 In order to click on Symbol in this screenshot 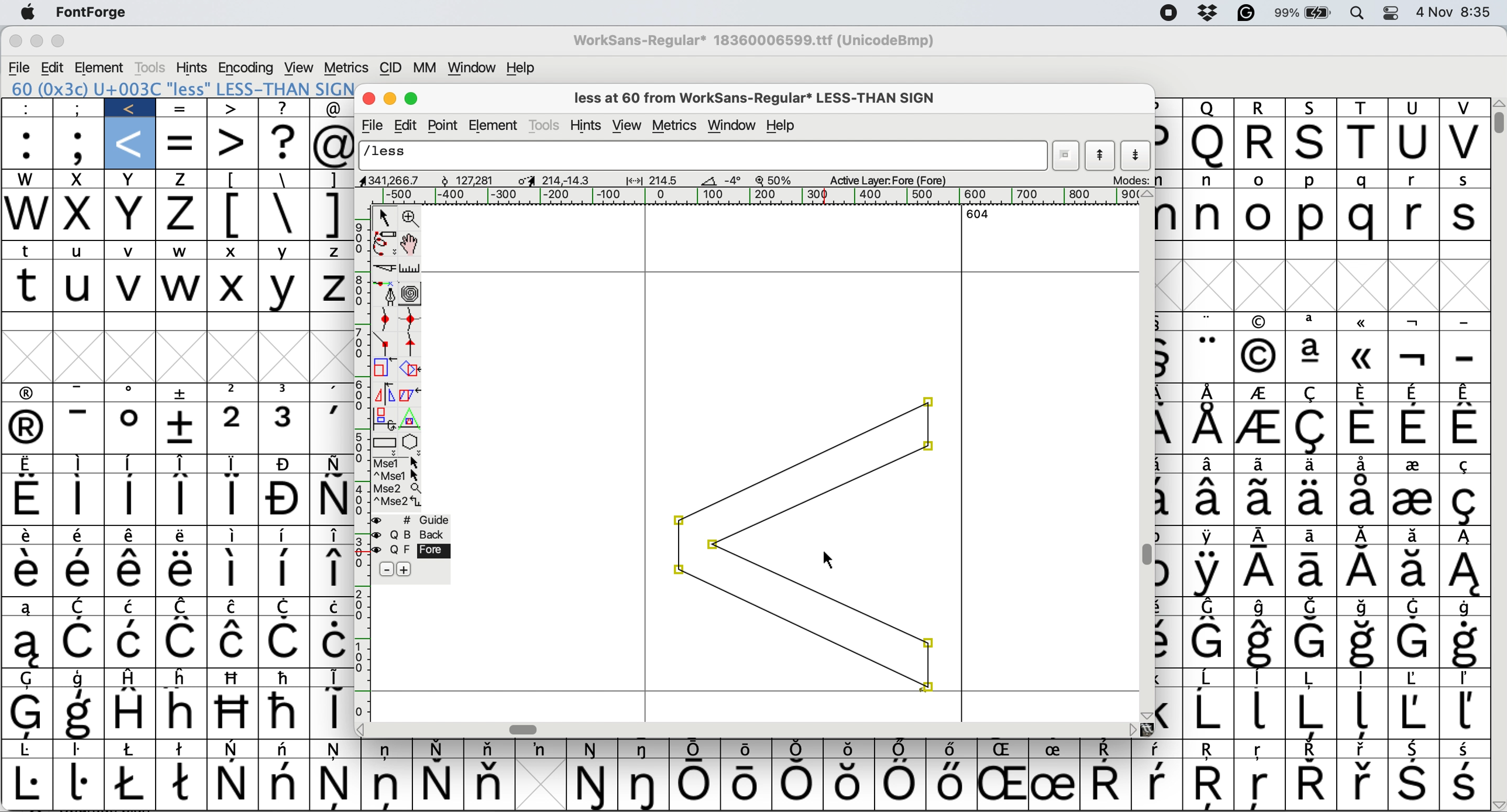, I will do `click(1209, 427)`.